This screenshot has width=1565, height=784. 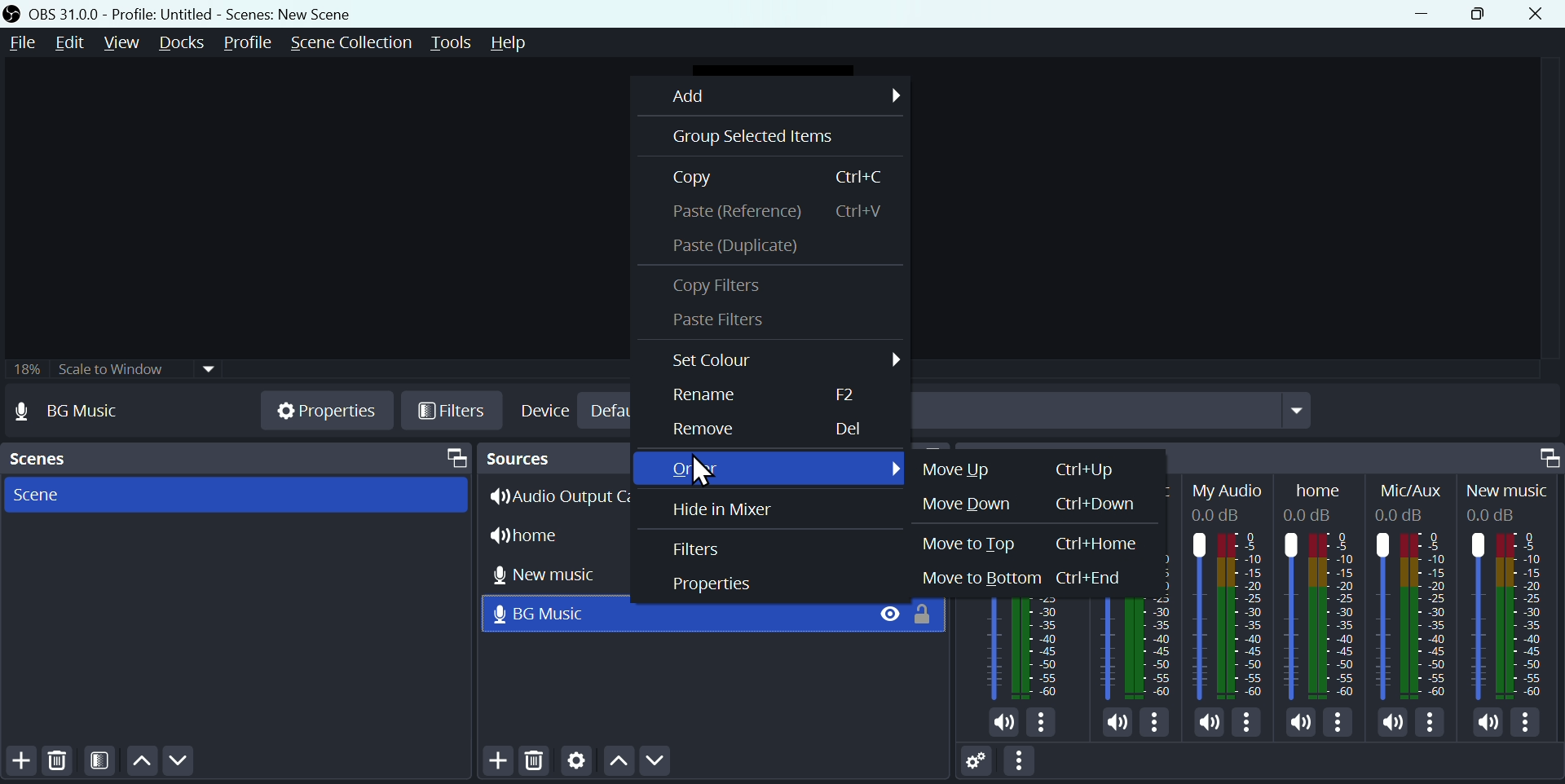 I want to click on maximize, so click(x=1544, y=454).